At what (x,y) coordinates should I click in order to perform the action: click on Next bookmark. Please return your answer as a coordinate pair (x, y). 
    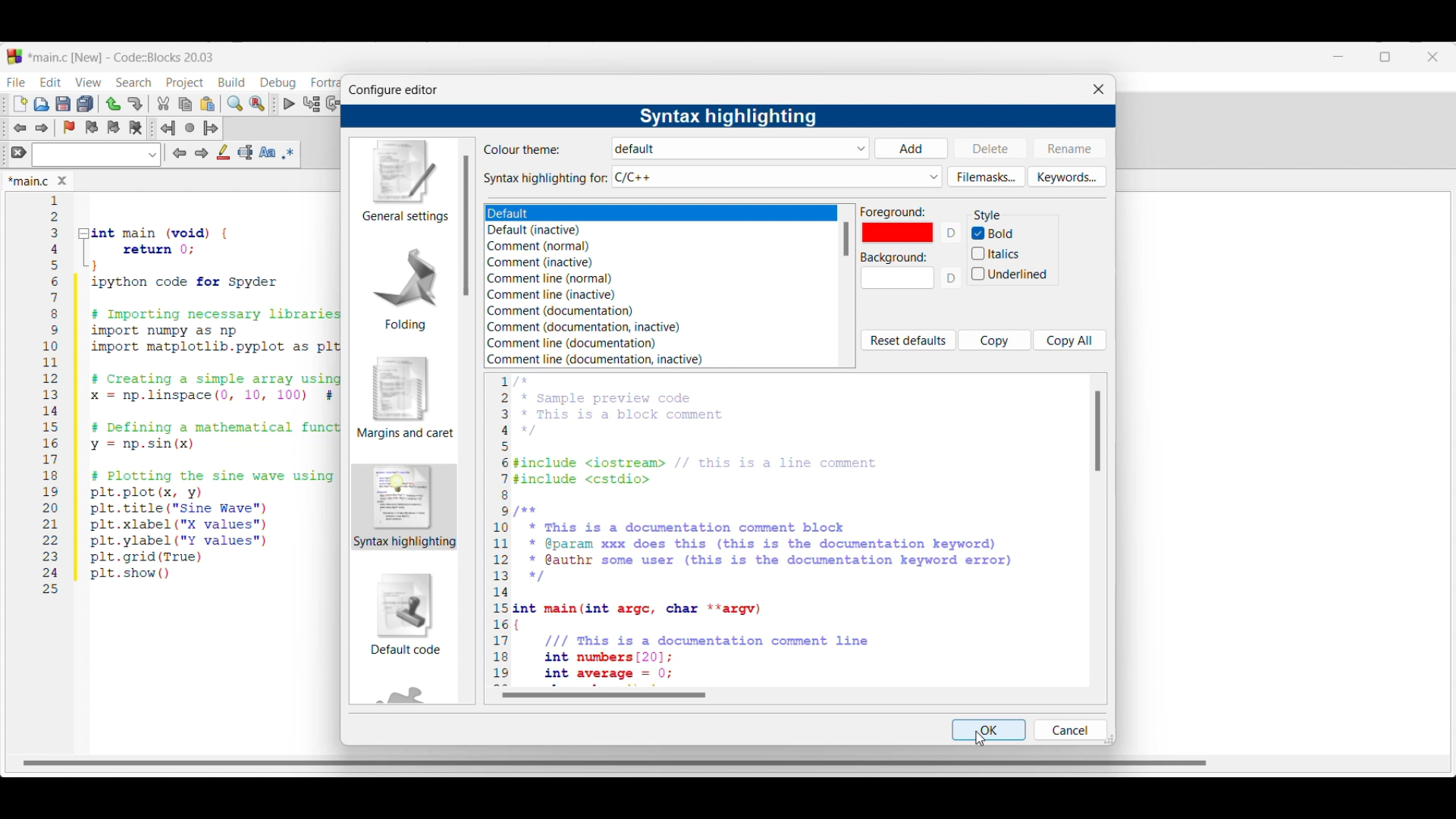
    Looking at the image, I should click on (113, 127).